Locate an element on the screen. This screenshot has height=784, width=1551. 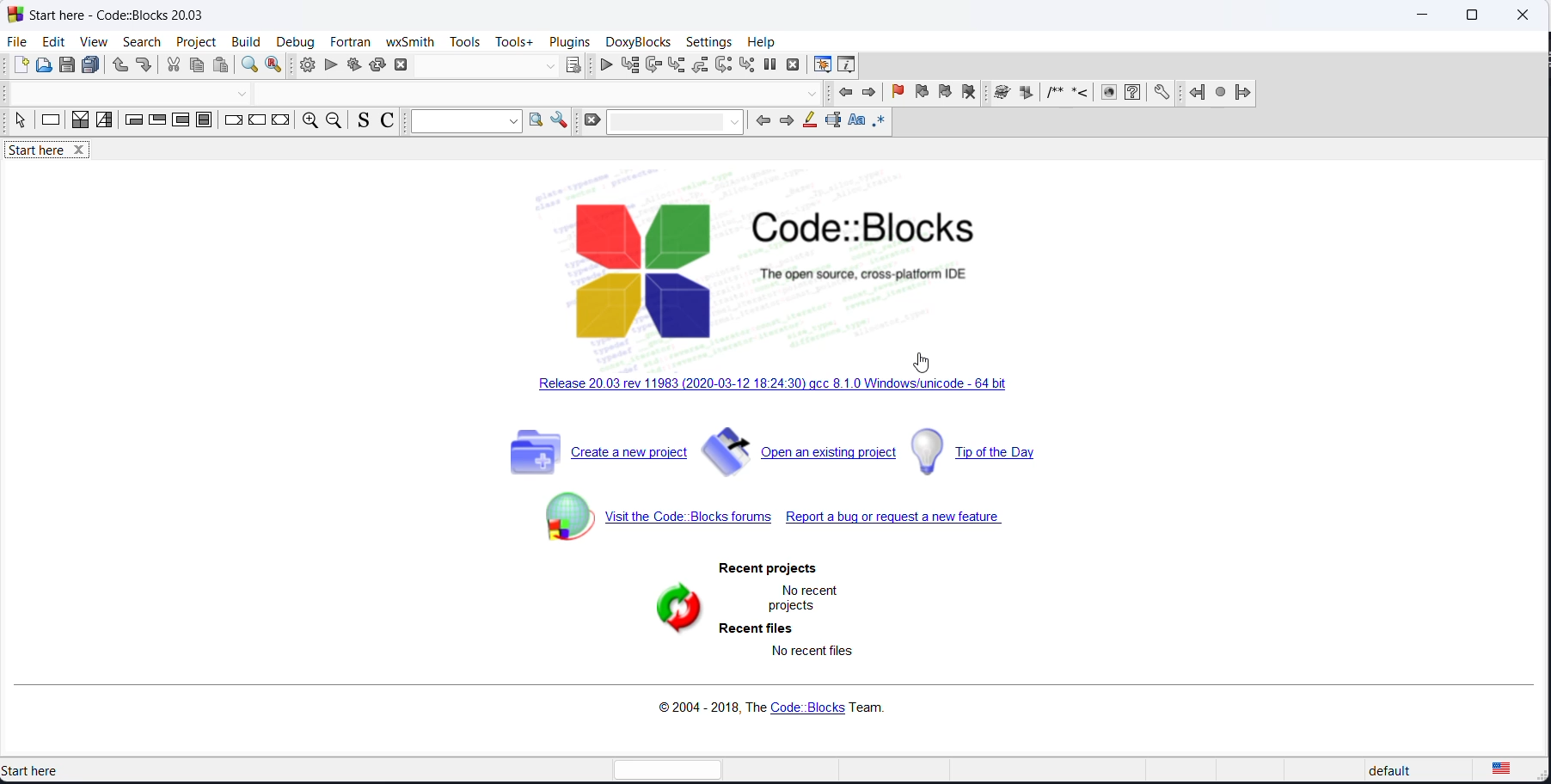
next  is located at coordinates (873, 94).